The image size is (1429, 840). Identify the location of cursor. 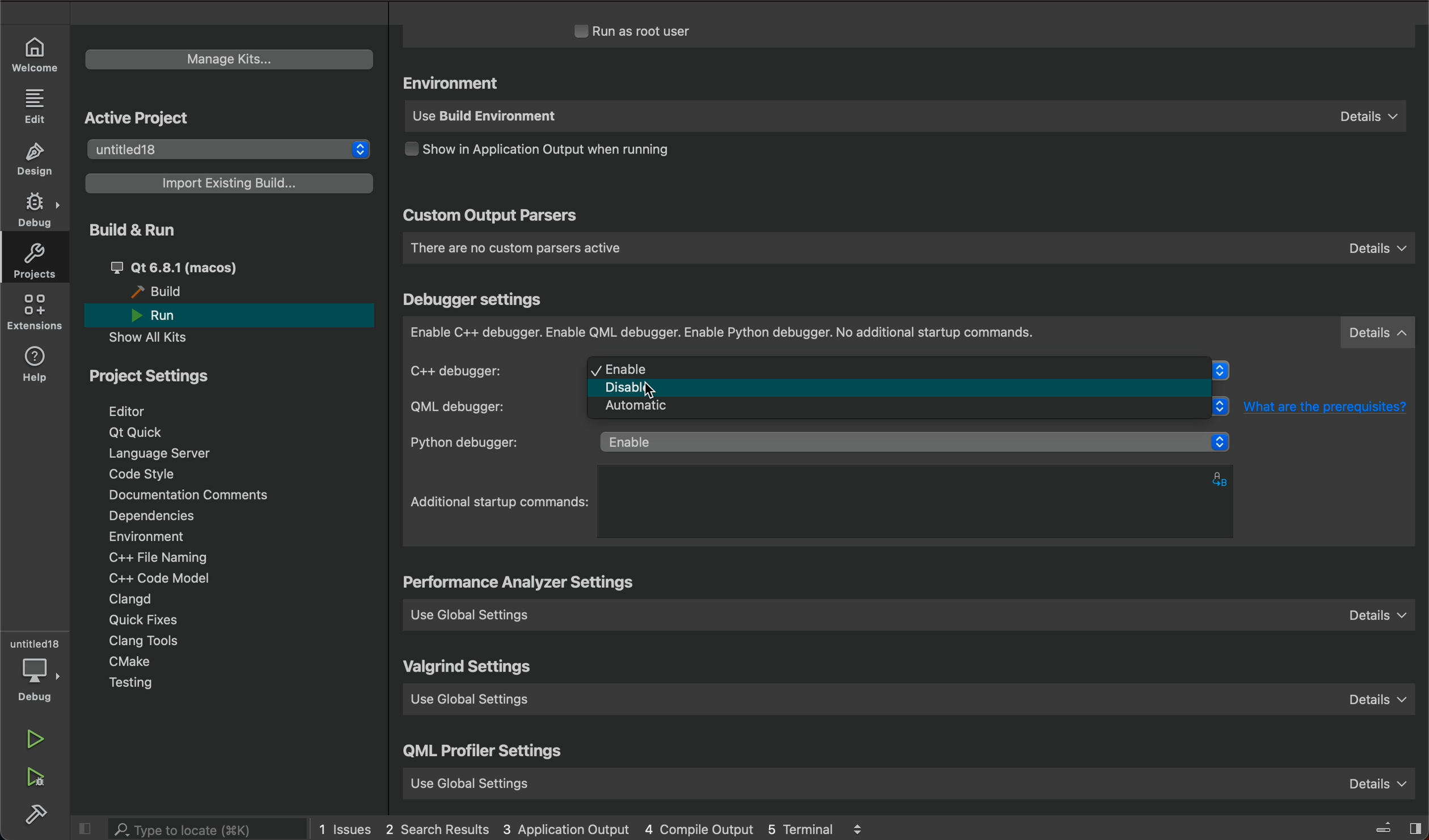
(657, 387).